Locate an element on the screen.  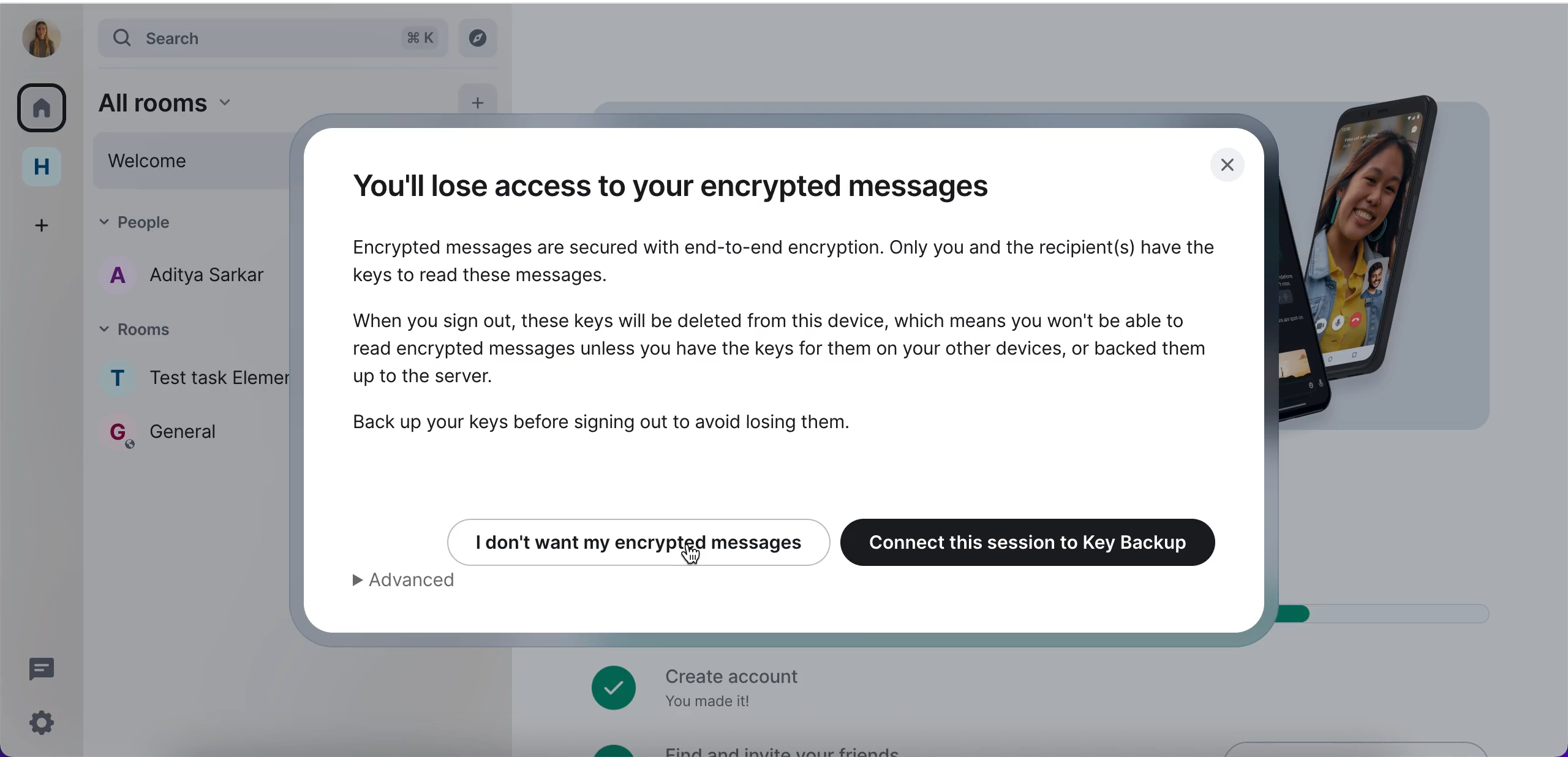
cursor on i don't want my encrypted messages is located at coordinates (688, 557).